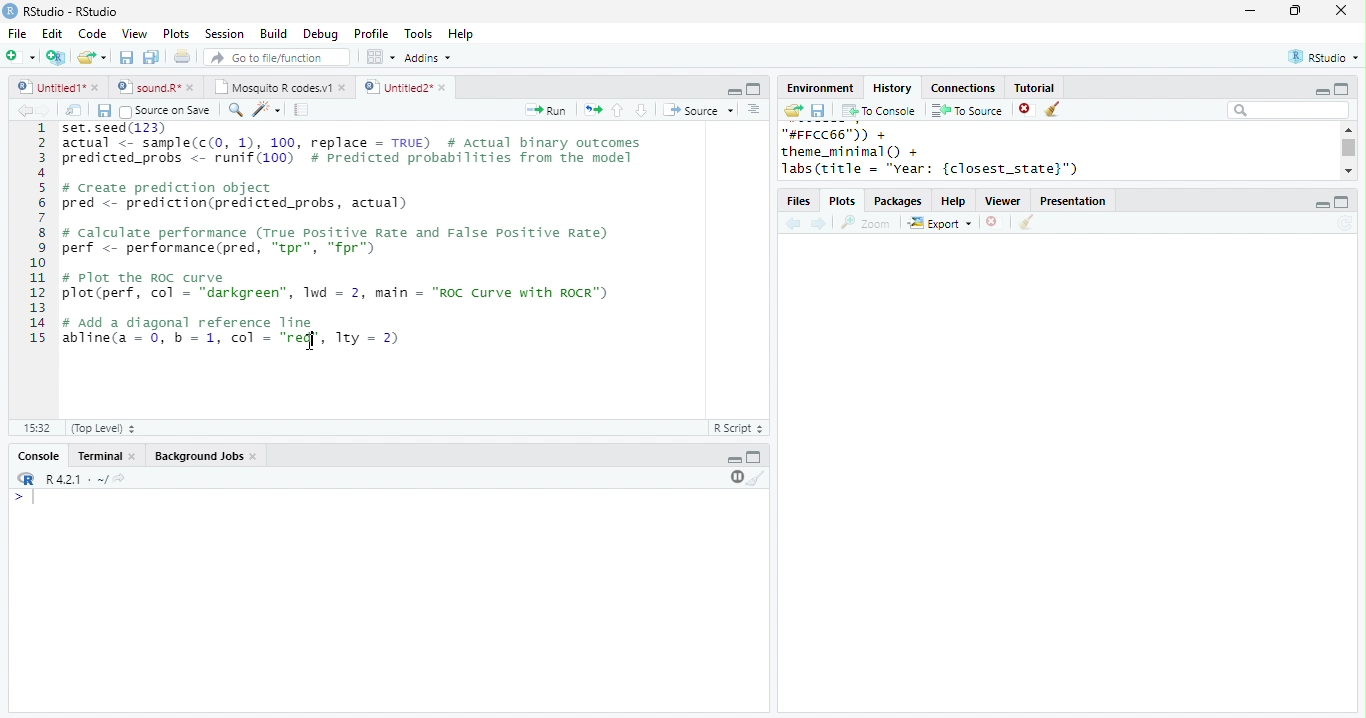  What do you see at coordinates (163, 111) in the screenshot?
I see `Source on Save` at bounding box center [163, 111].